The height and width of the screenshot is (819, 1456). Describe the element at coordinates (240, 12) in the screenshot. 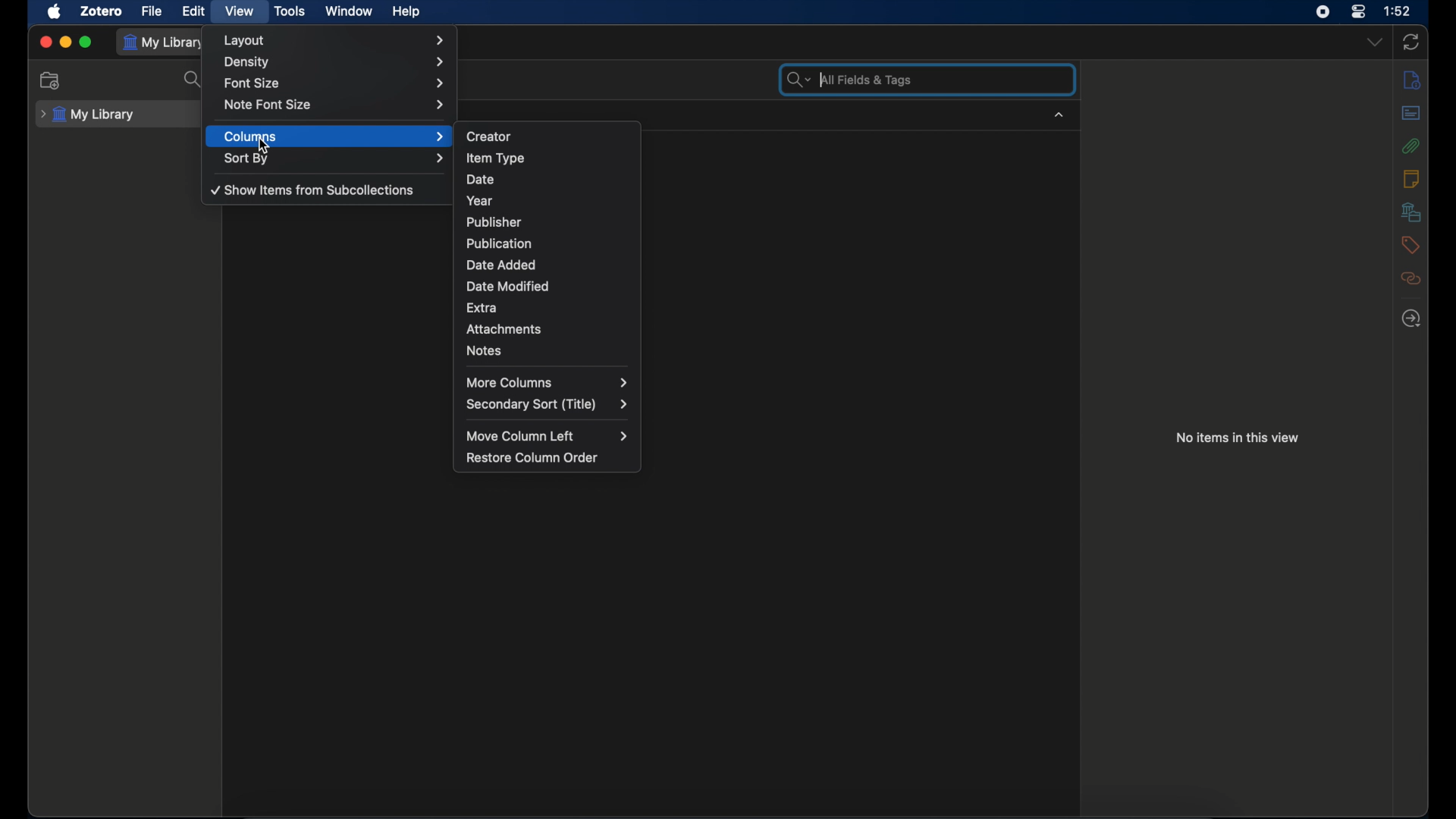

I see `view` at that location.